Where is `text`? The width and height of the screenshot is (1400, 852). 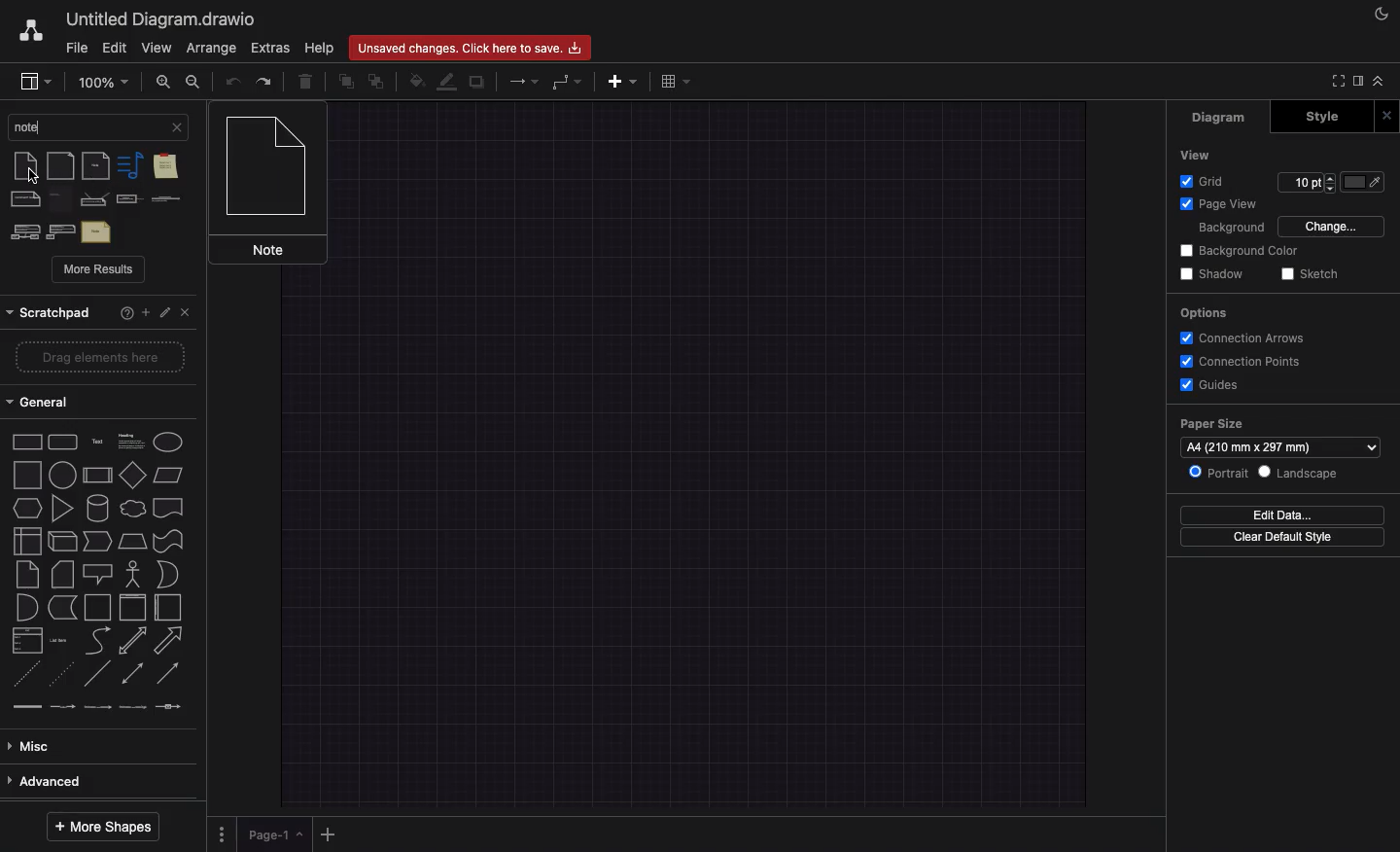
text is located at coordinates (96, 231).